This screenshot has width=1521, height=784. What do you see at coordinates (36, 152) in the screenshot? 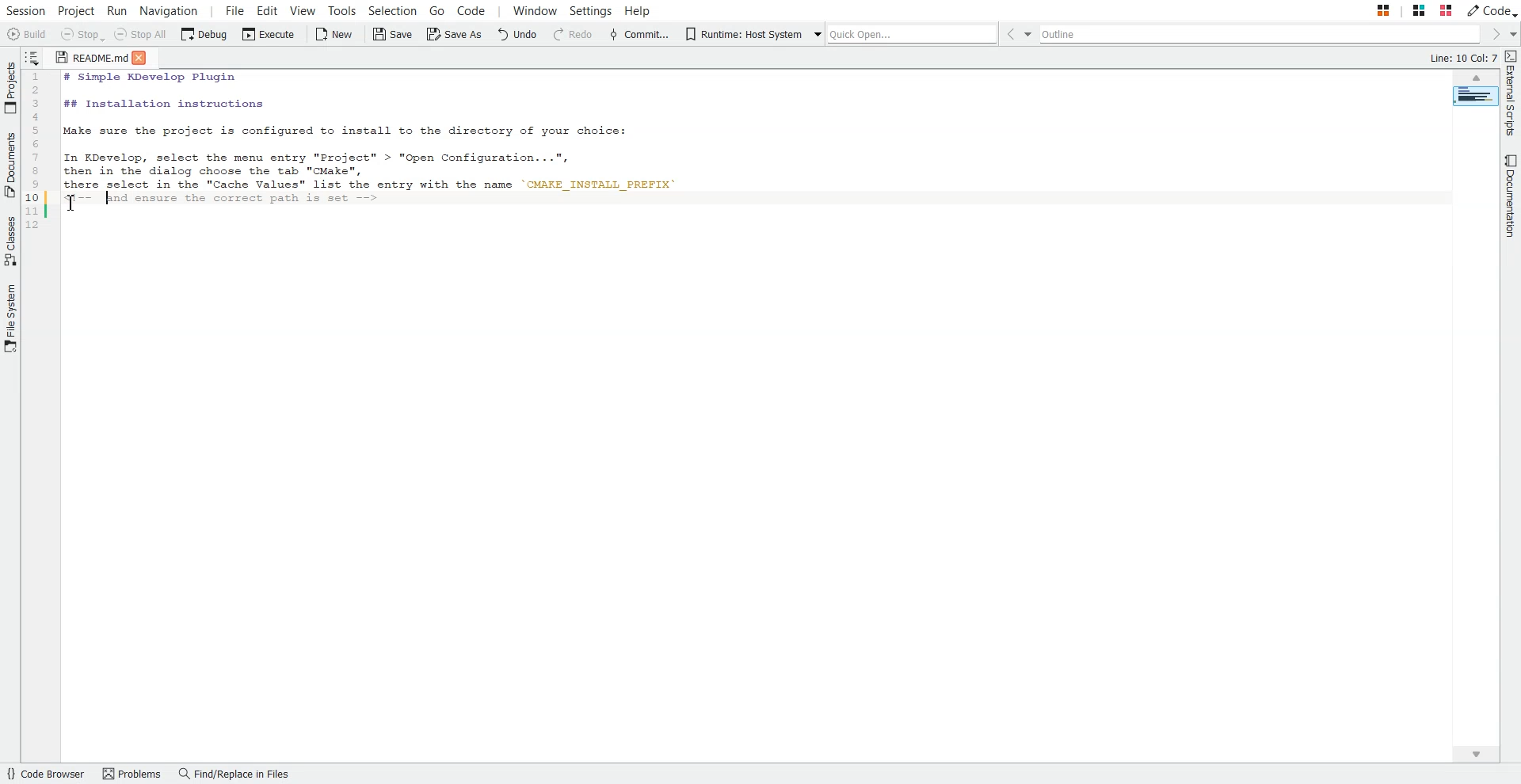
I see `Code Line` at bounding box center [36, 152].